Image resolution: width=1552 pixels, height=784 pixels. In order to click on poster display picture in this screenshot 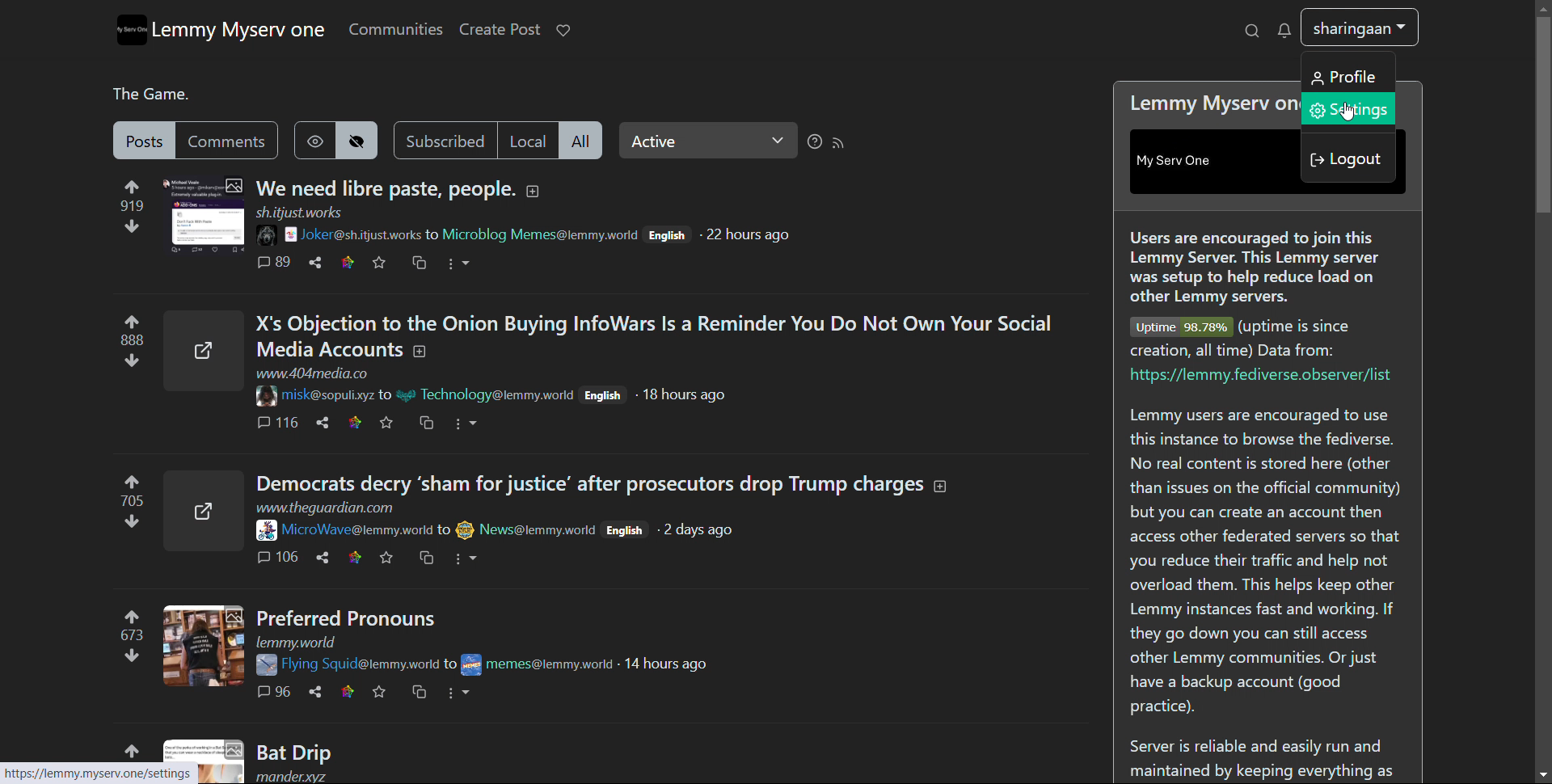, I will do `click(276, 234)`.